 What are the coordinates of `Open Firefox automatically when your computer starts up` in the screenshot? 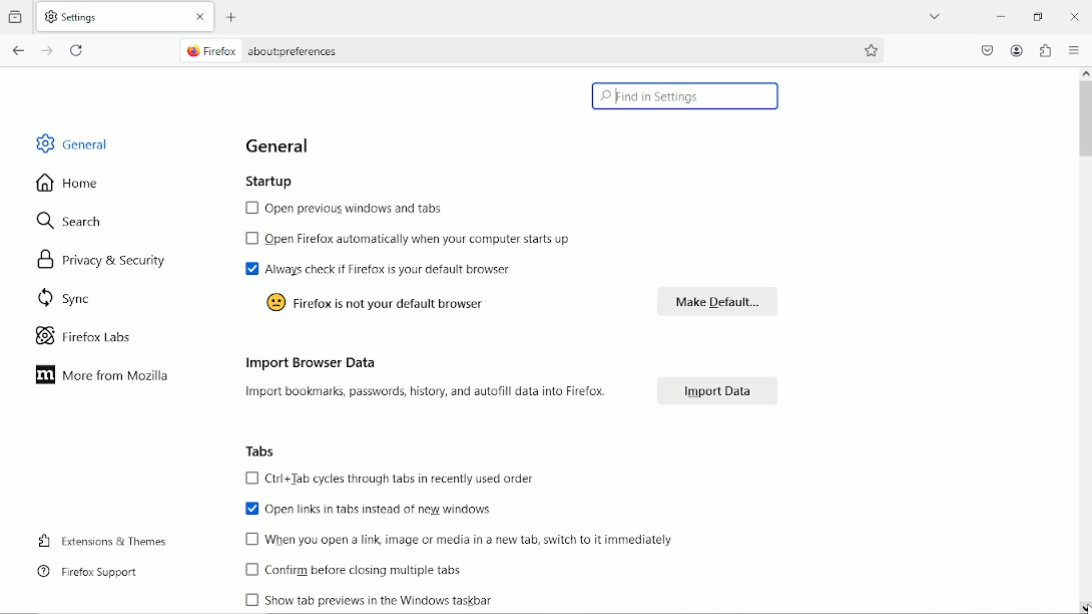 It's located at (408, 239).